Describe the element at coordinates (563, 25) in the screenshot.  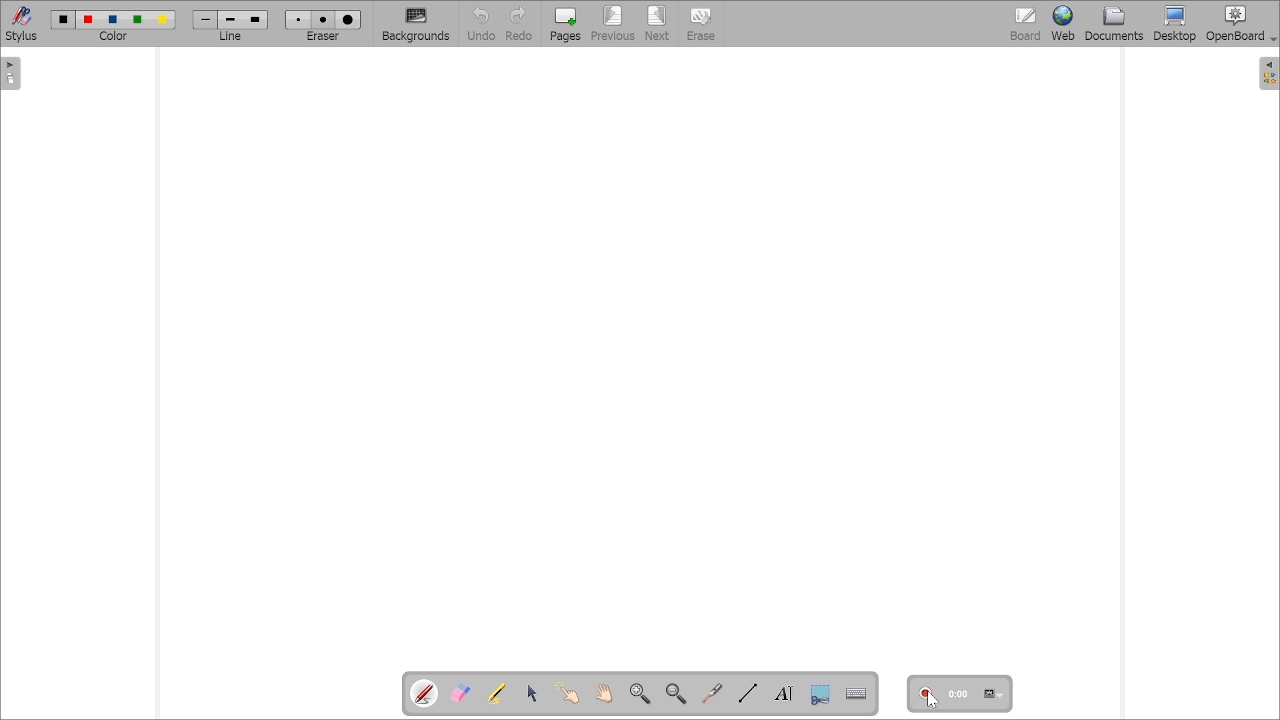
I see `Pages` at that location.